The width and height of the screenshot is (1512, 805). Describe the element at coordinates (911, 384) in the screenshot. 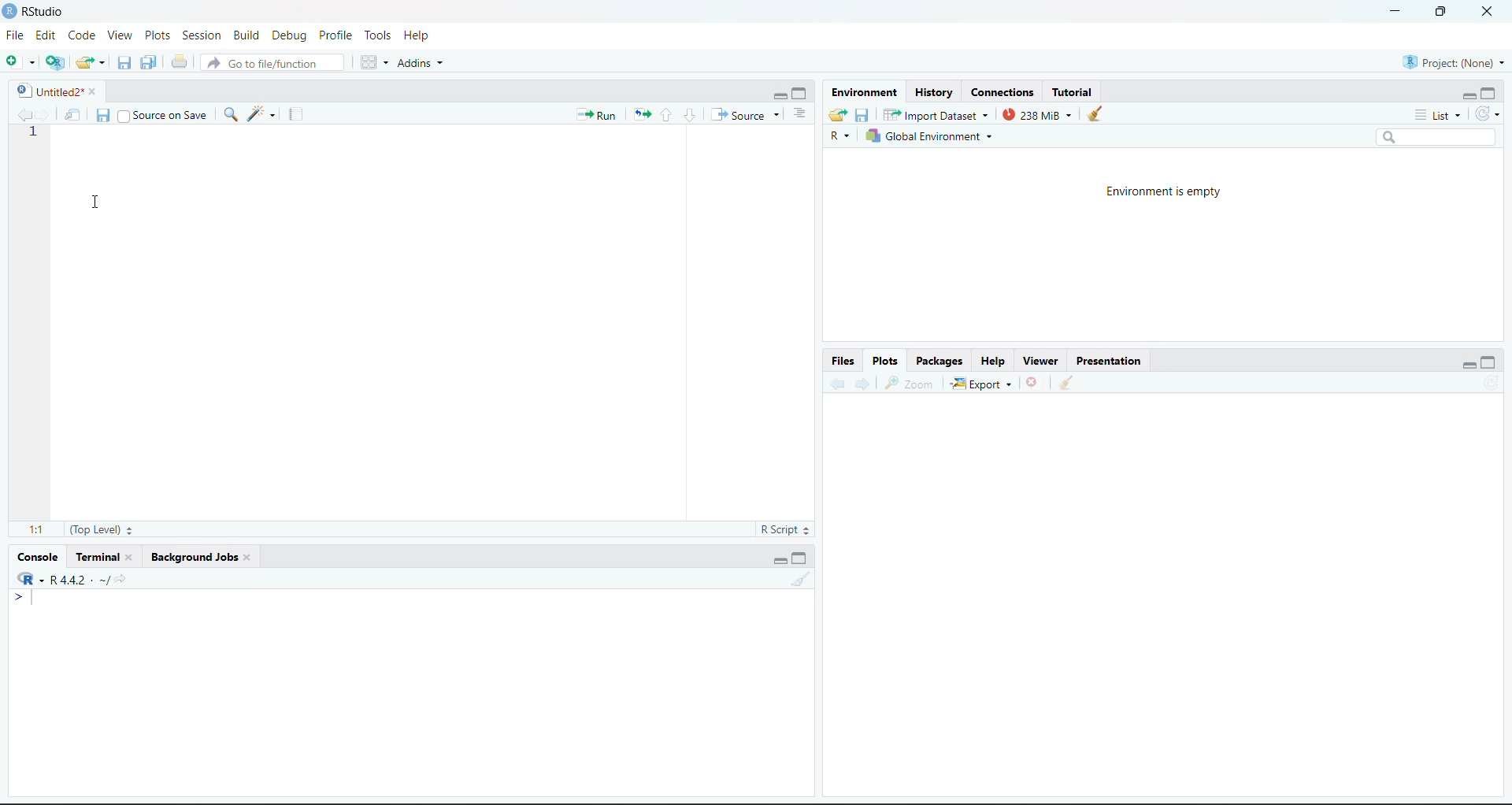

I see `Zoom` at that location.